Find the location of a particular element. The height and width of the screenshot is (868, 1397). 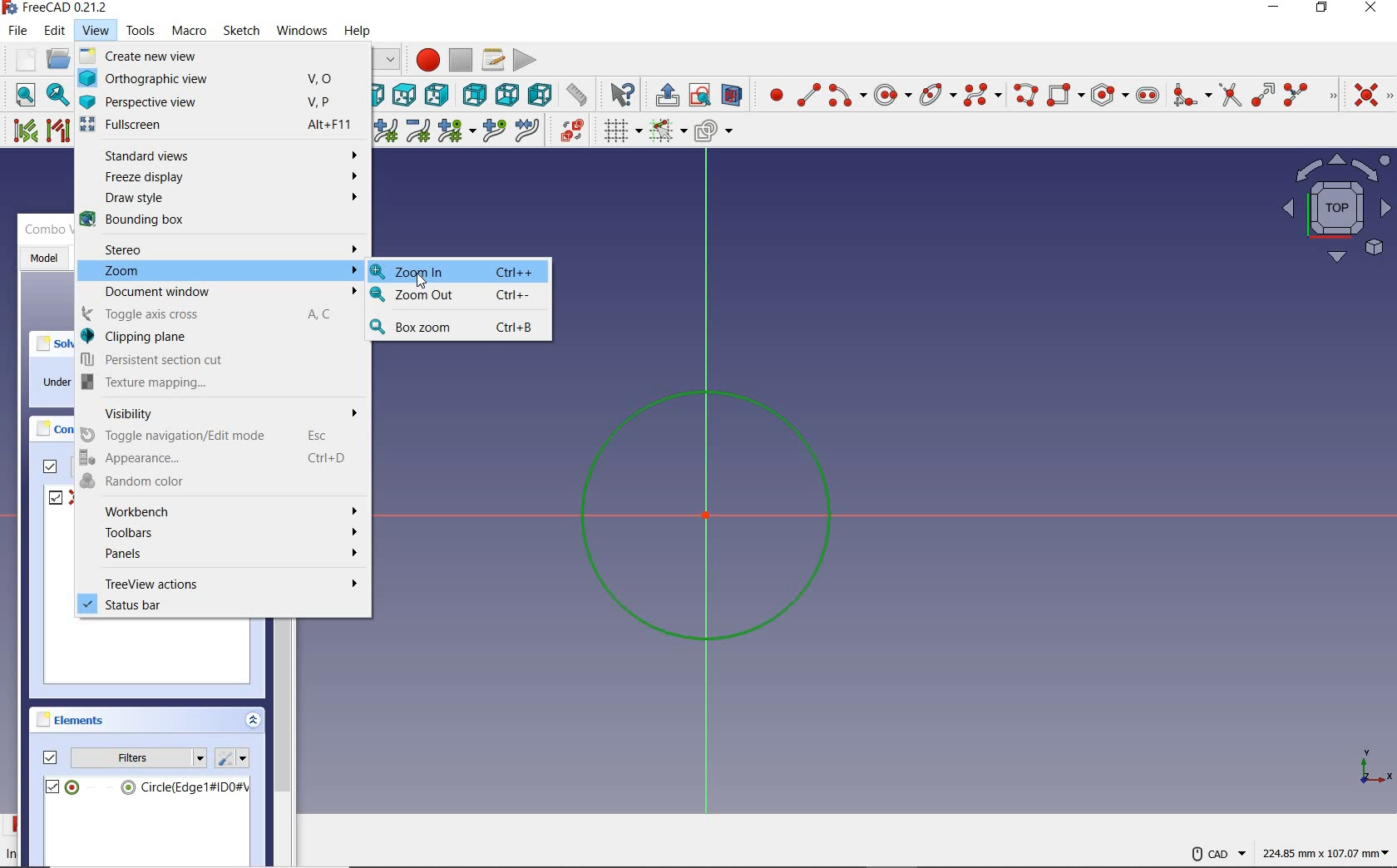

VAD Navigation Style is located at coordinates (1217, 855).